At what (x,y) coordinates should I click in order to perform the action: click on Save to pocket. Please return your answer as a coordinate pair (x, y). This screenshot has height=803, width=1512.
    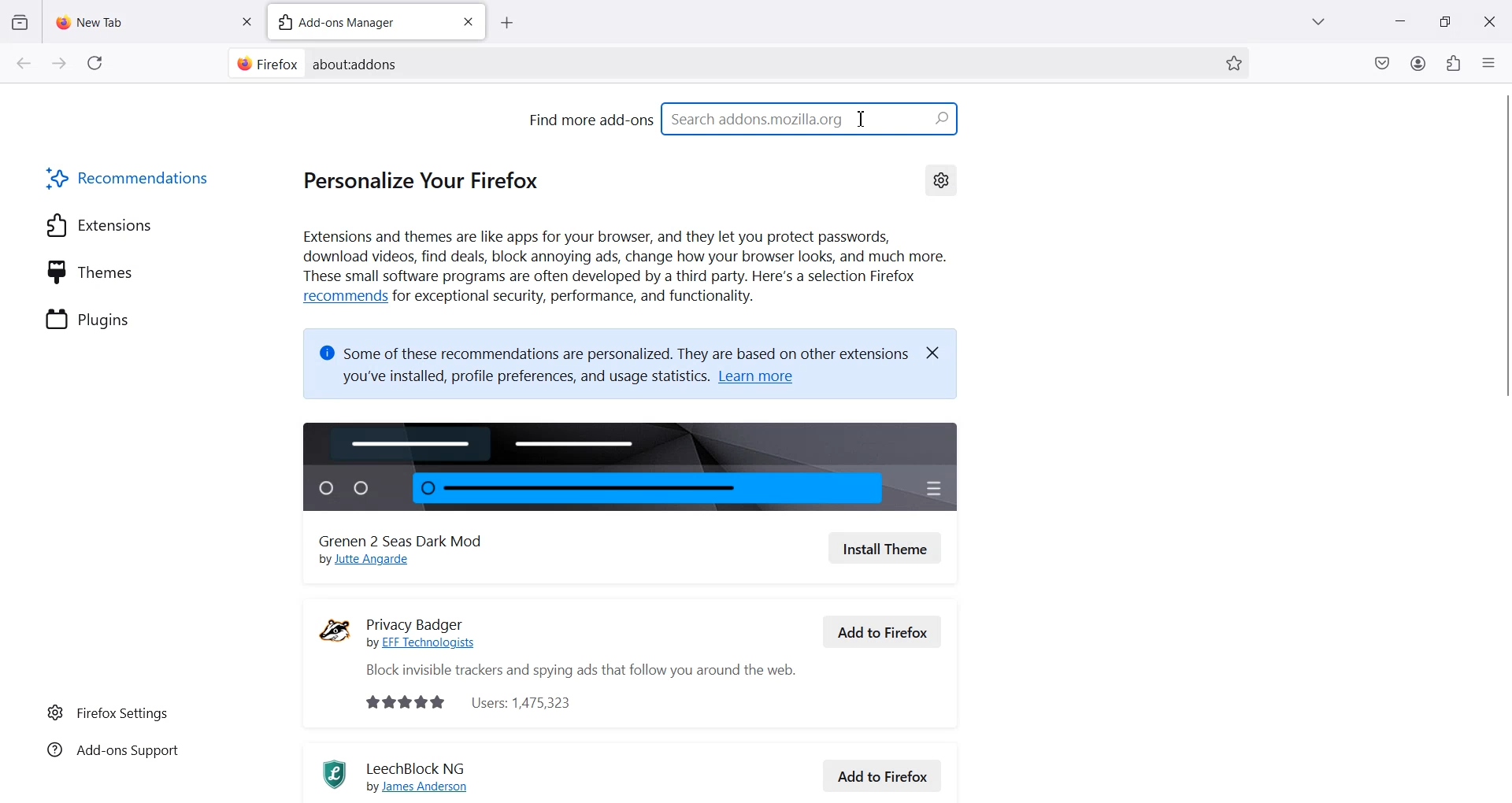
    Looking at the image, I should click on (1383, 63).